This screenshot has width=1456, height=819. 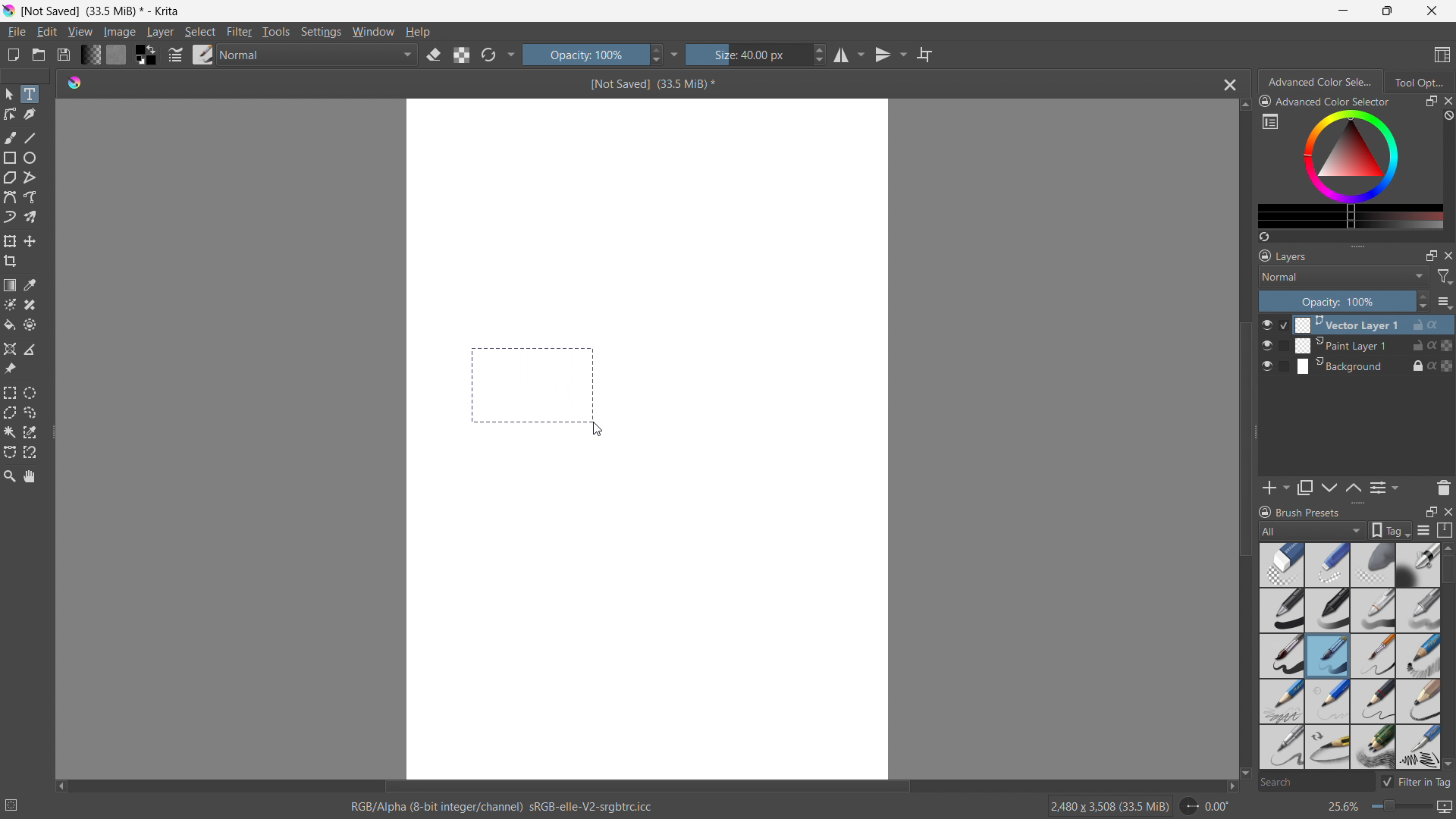 What do you see at coordinates (1353, 487) in the screenshot?
I see `move layer down` at bounding box center [1353, 487].